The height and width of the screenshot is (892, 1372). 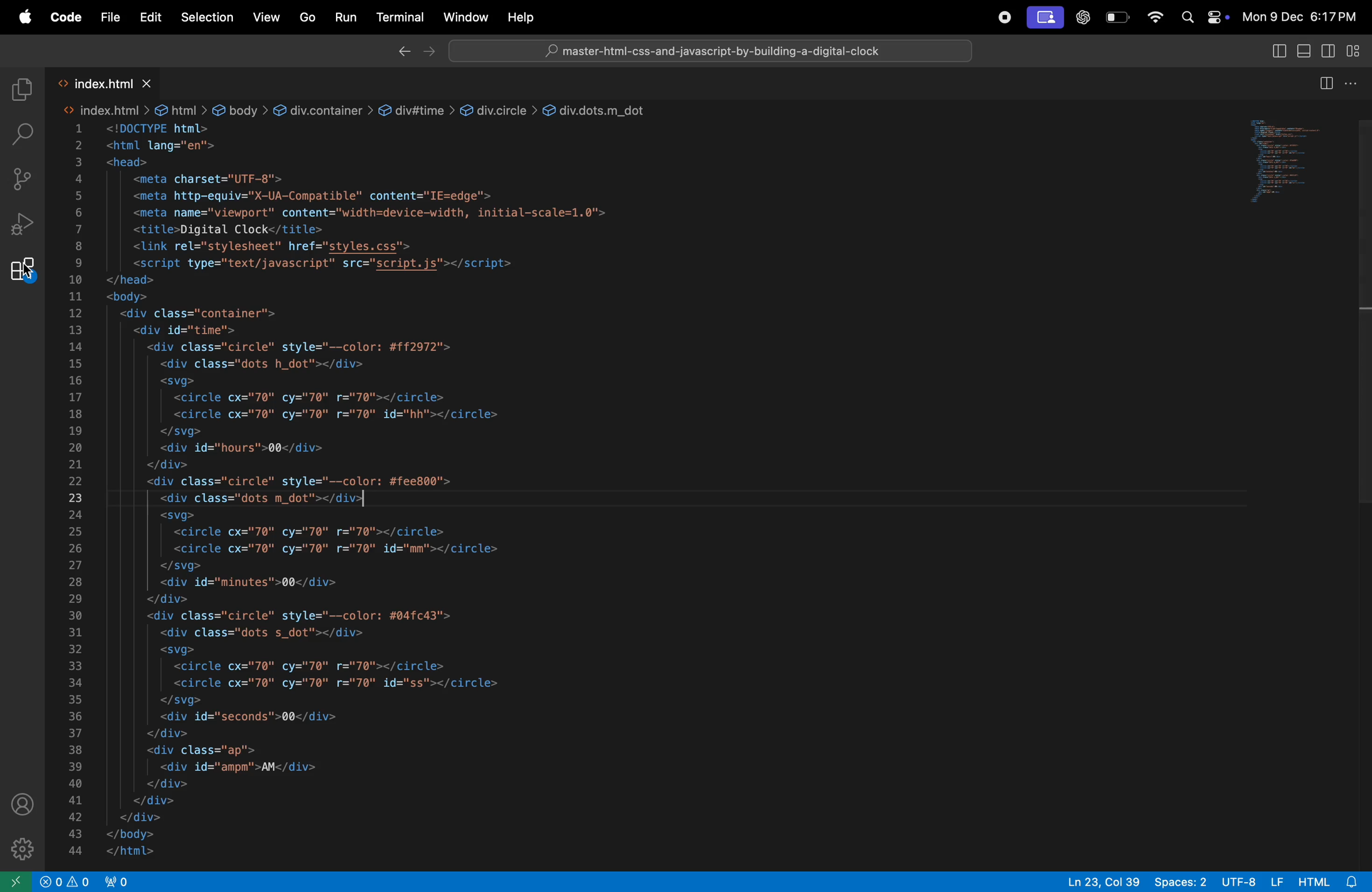 What do you see at coordinates (463, 16) in the screenshot?
I see `Window` at bounding box center [463, 16].